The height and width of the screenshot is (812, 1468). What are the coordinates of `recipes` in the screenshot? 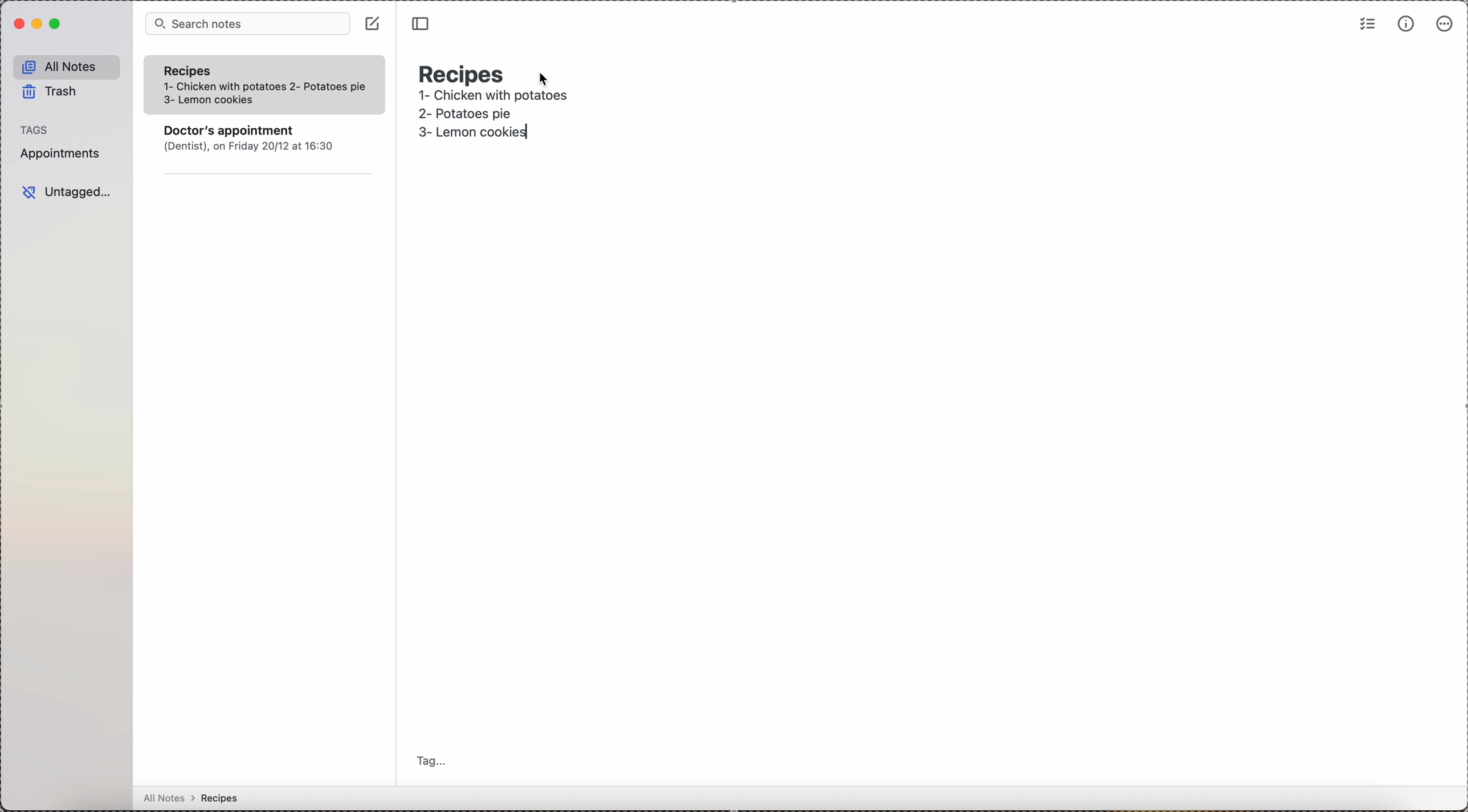 It's located at (465, 73).